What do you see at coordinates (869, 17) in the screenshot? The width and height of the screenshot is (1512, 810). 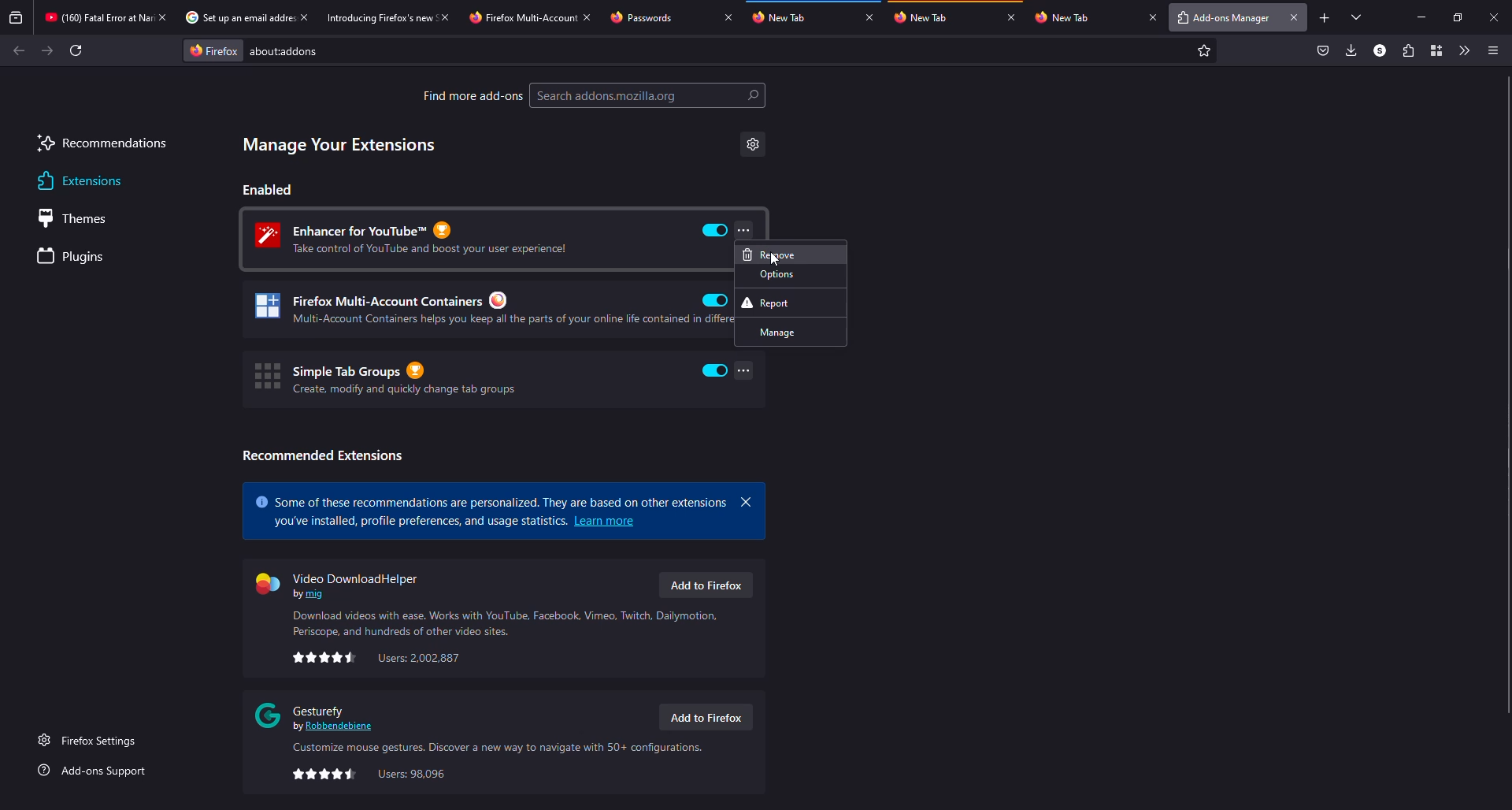 I see `close` at bounding box center [869, 17].